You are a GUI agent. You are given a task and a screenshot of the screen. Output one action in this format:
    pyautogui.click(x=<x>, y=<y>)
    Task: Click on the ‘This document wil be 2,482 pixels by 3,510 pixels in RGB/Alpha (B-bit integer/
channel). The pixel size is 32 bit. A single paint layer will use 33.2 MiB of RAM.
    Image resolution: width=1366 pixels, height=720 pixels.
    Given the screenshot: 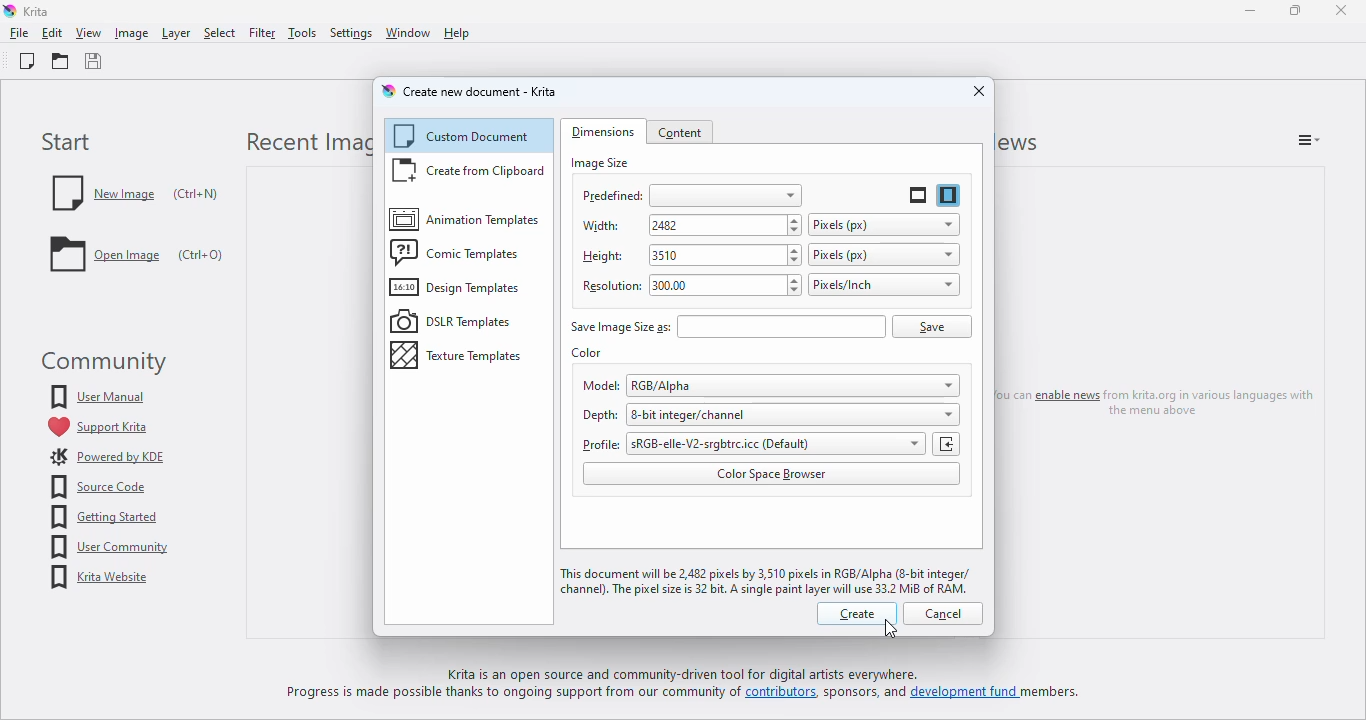 What is the action you would take?
    pyautogui.click(x=767, y=581)
    